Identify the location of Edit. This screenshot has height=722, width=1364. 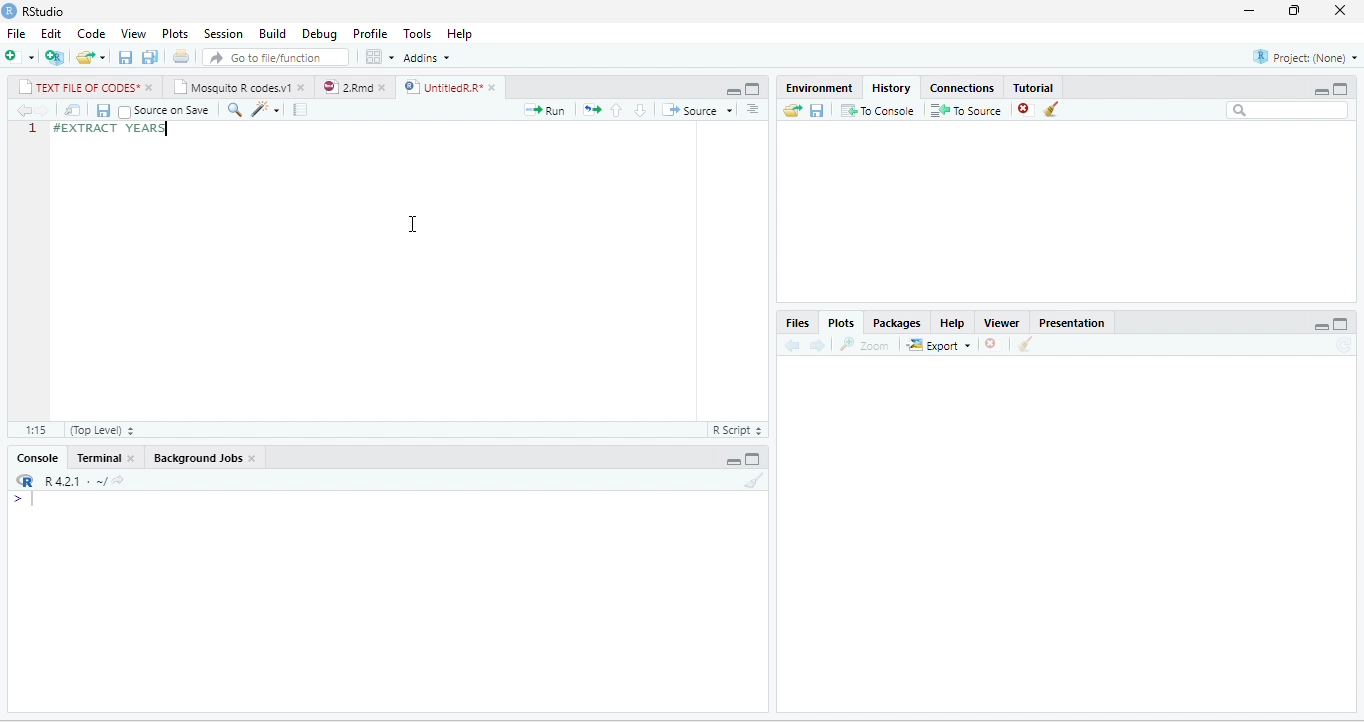
(51, 34).